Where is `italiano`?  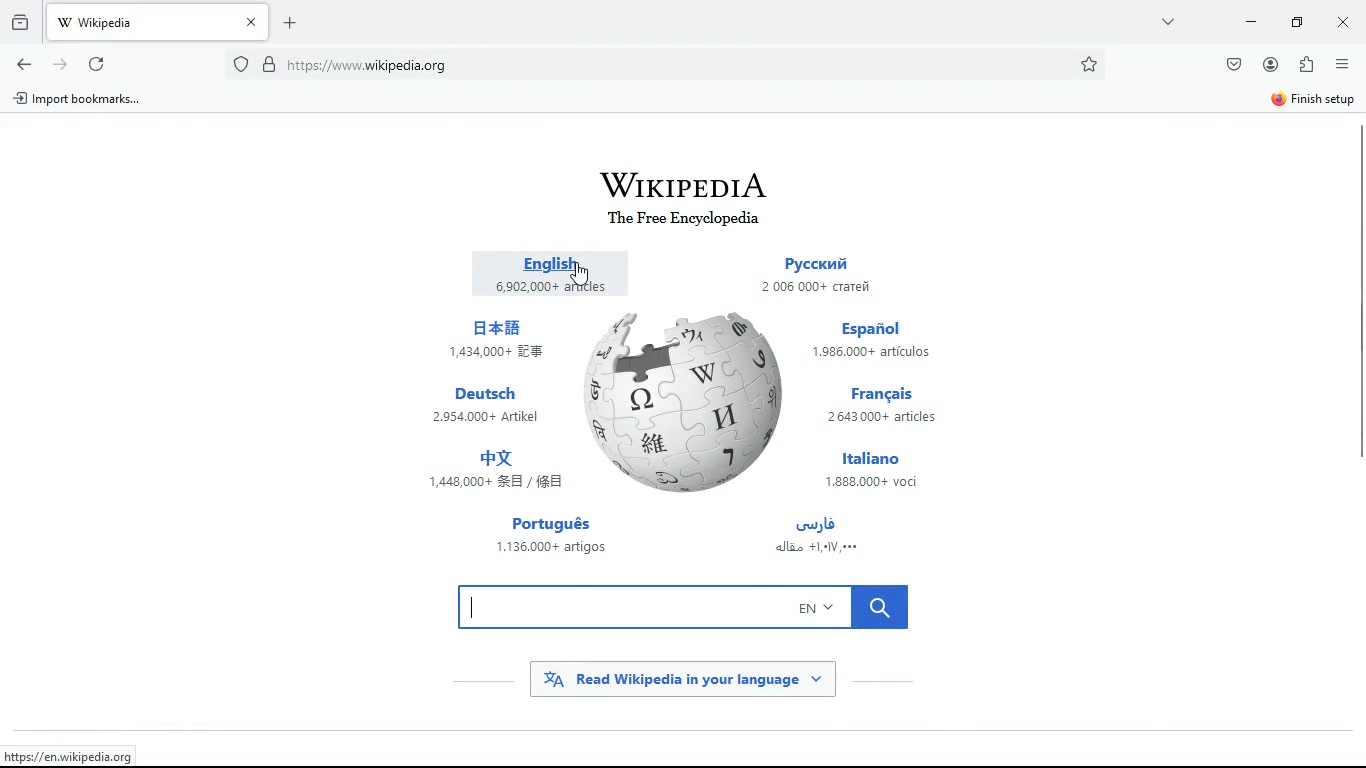
italiano is located at coordinates (879, 468).